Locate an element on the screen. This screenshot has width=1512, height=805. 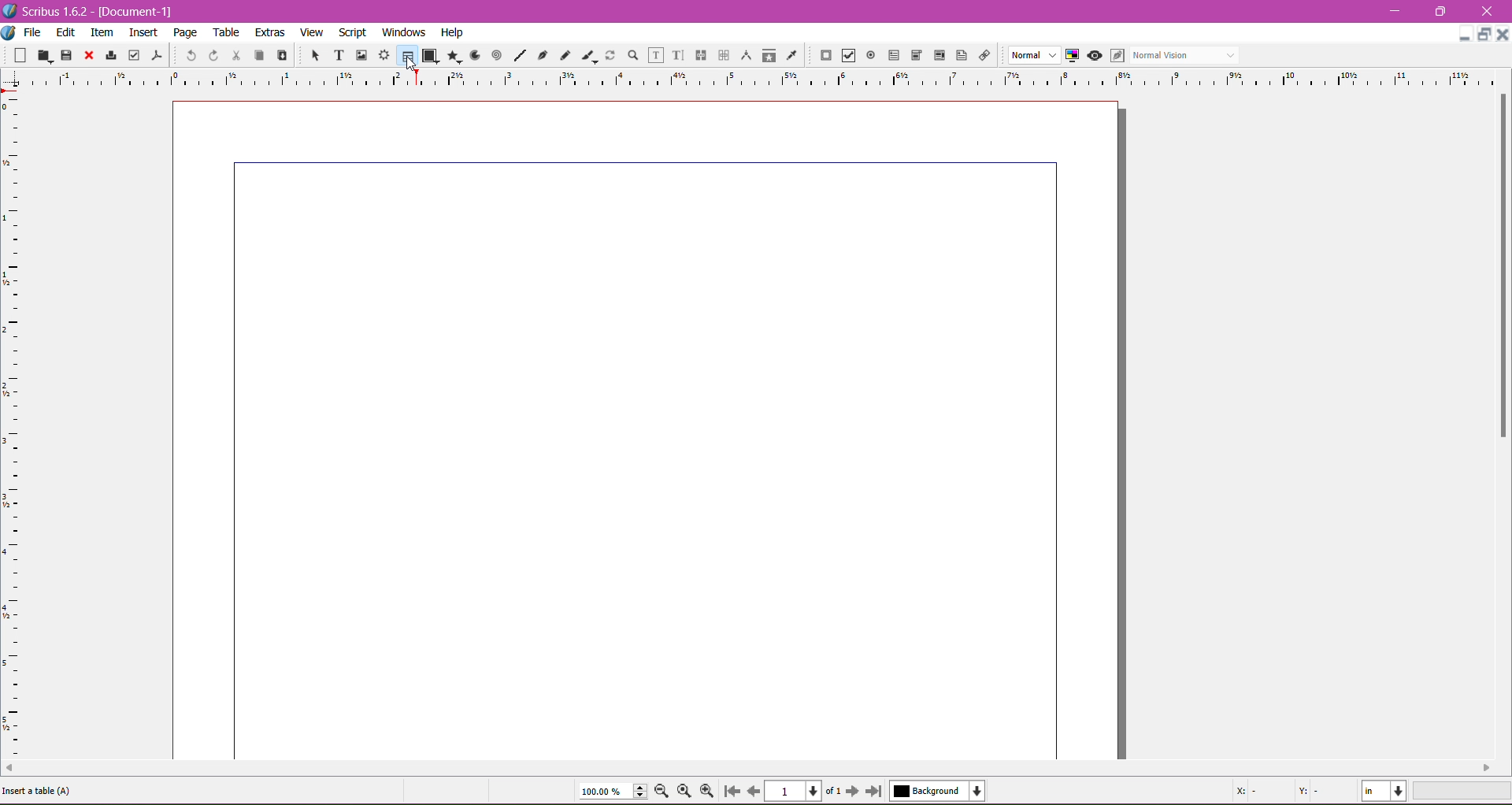
Link Annotation is located at coordinates (982, 54).